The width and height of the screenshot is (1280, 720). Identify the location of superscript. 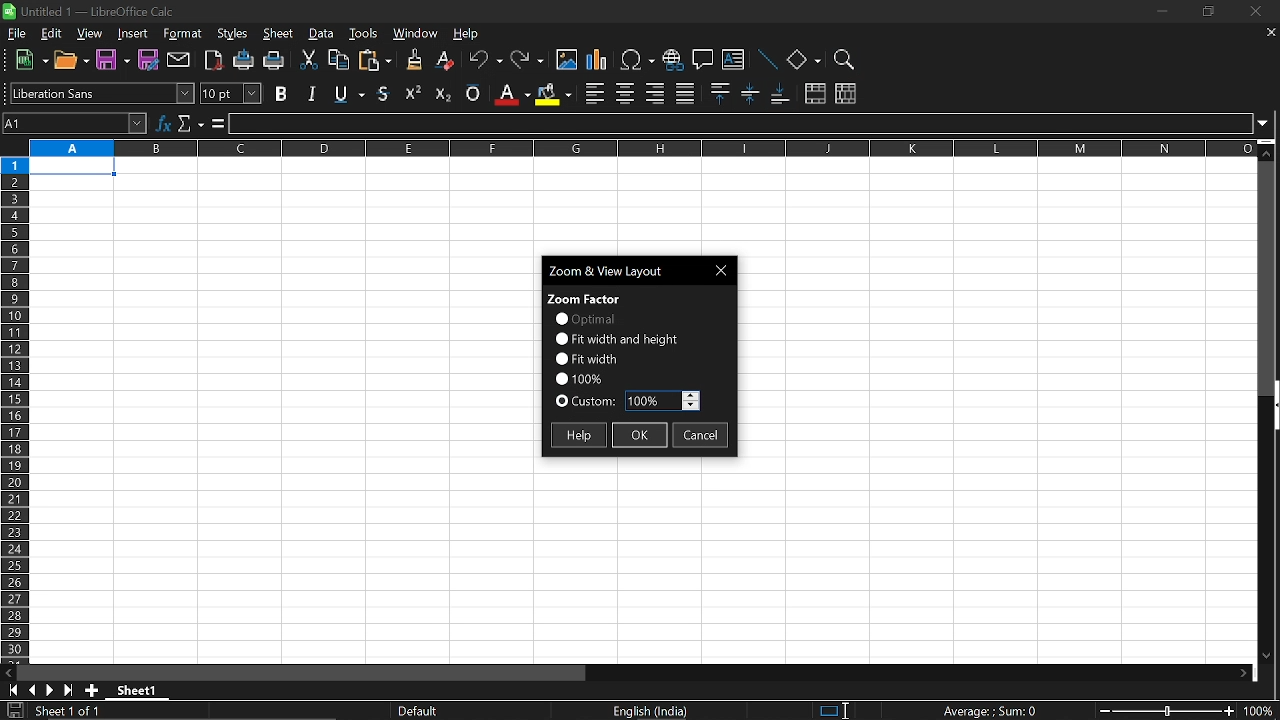
(414, 92).